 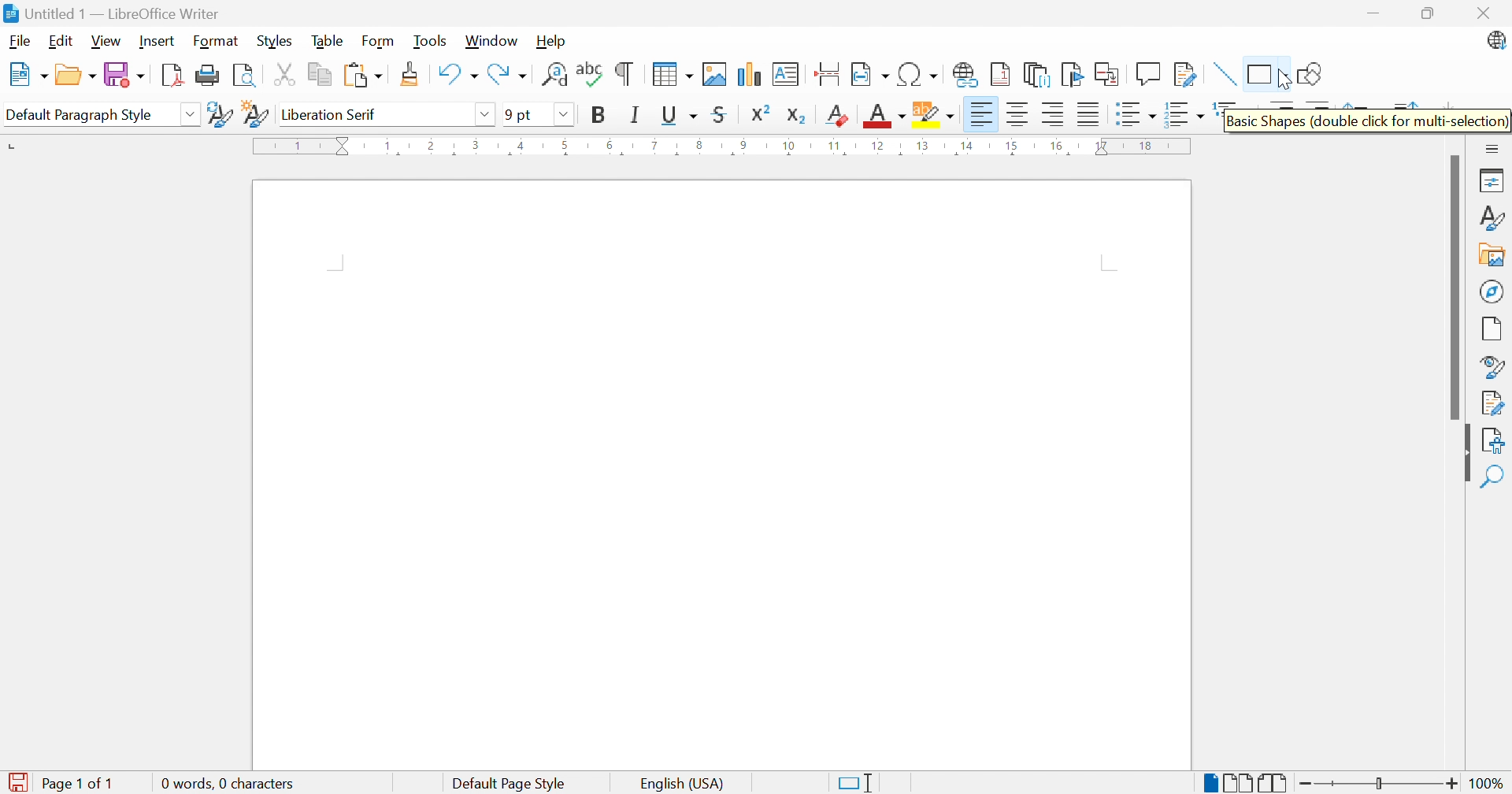 I want to click on Insert cross-reference, so click(x=1110, y=76).